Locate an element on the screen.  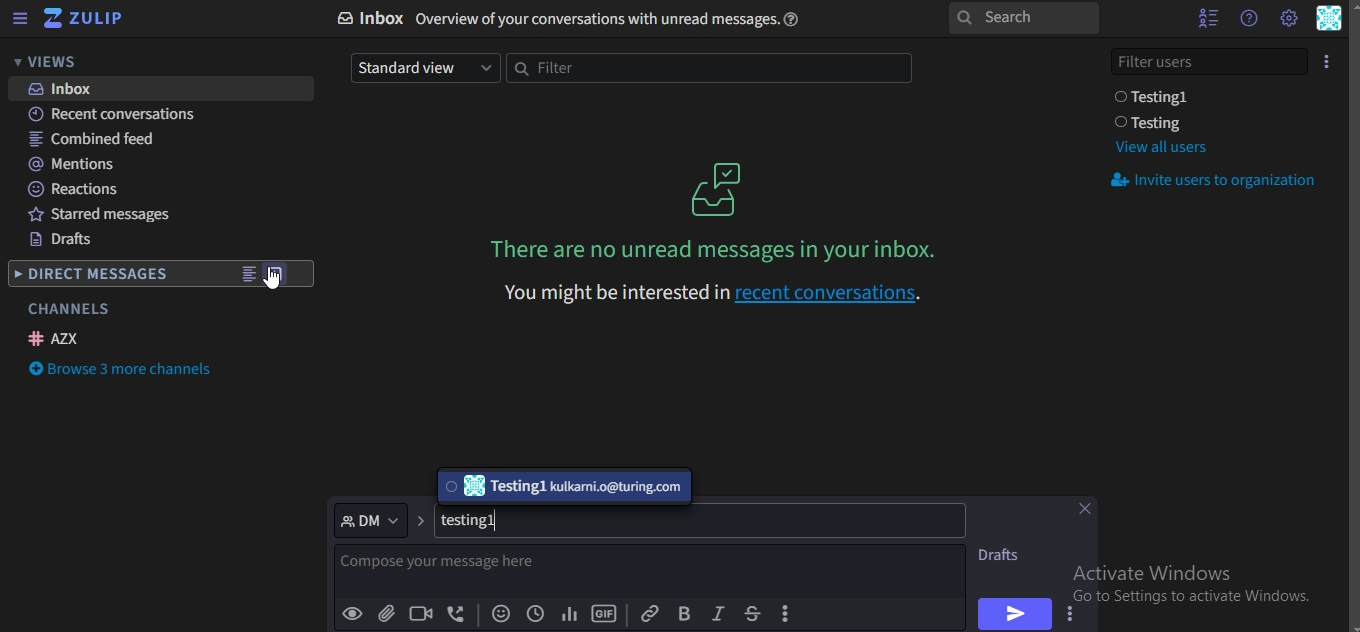
direct messages is located at coordinates (94, 276).